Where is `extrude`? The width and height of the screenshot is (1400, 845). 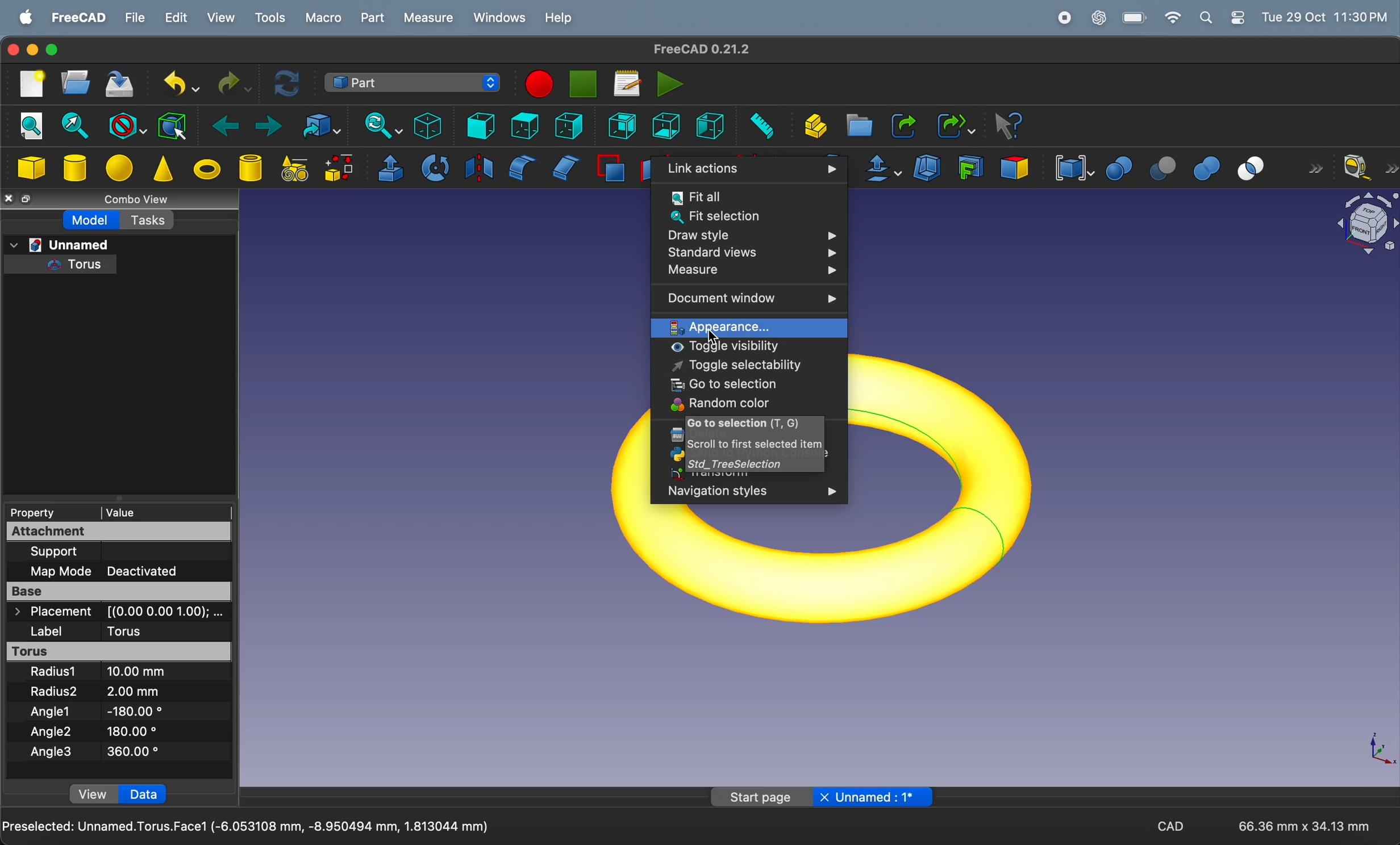 extrude is located at coordinates (390, 169).